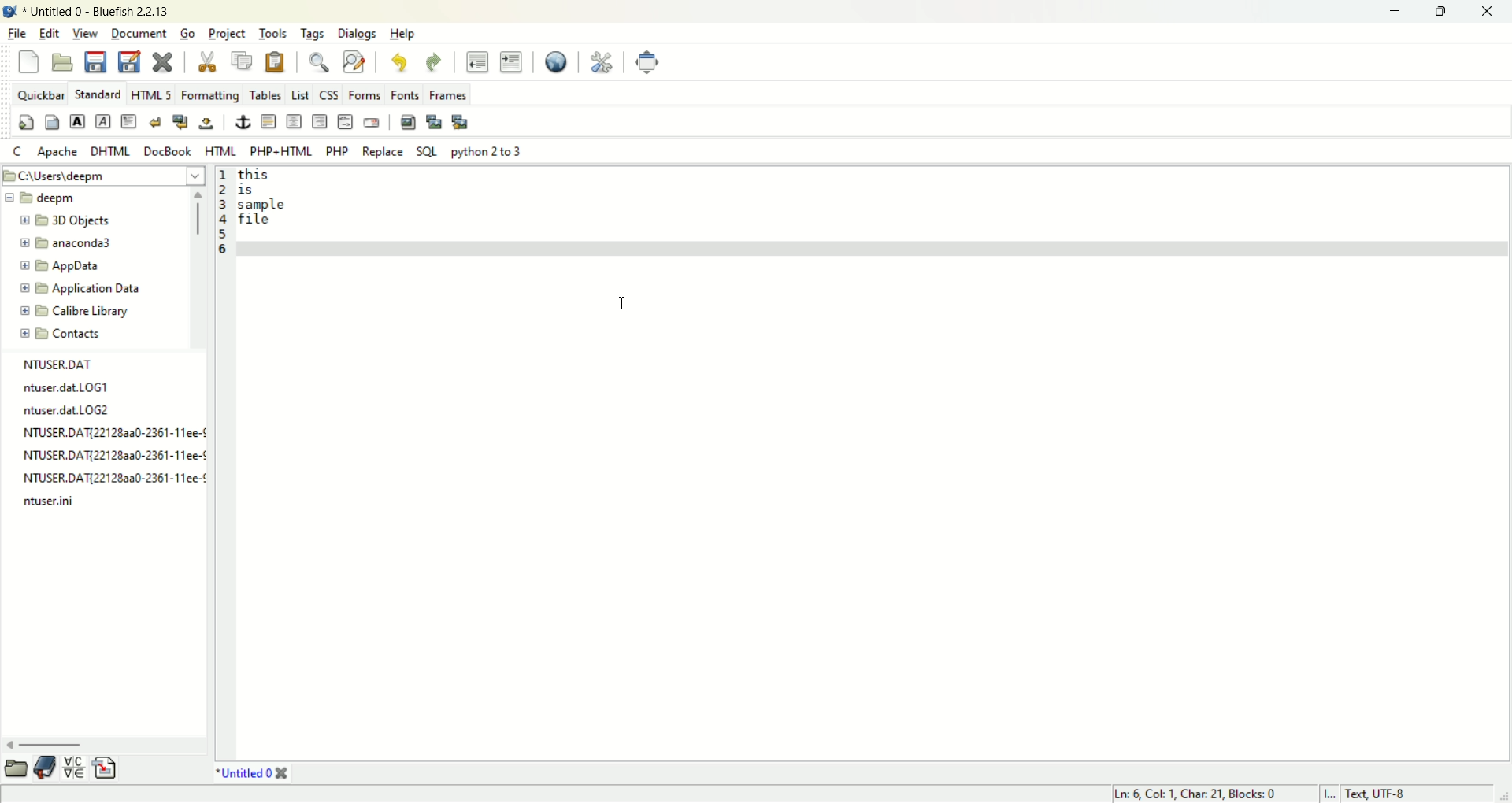 This screenshot has height=803, width=1512. Describe the element at coordinates (70, 242) in the screenshot. I see `anaconda` at that location.